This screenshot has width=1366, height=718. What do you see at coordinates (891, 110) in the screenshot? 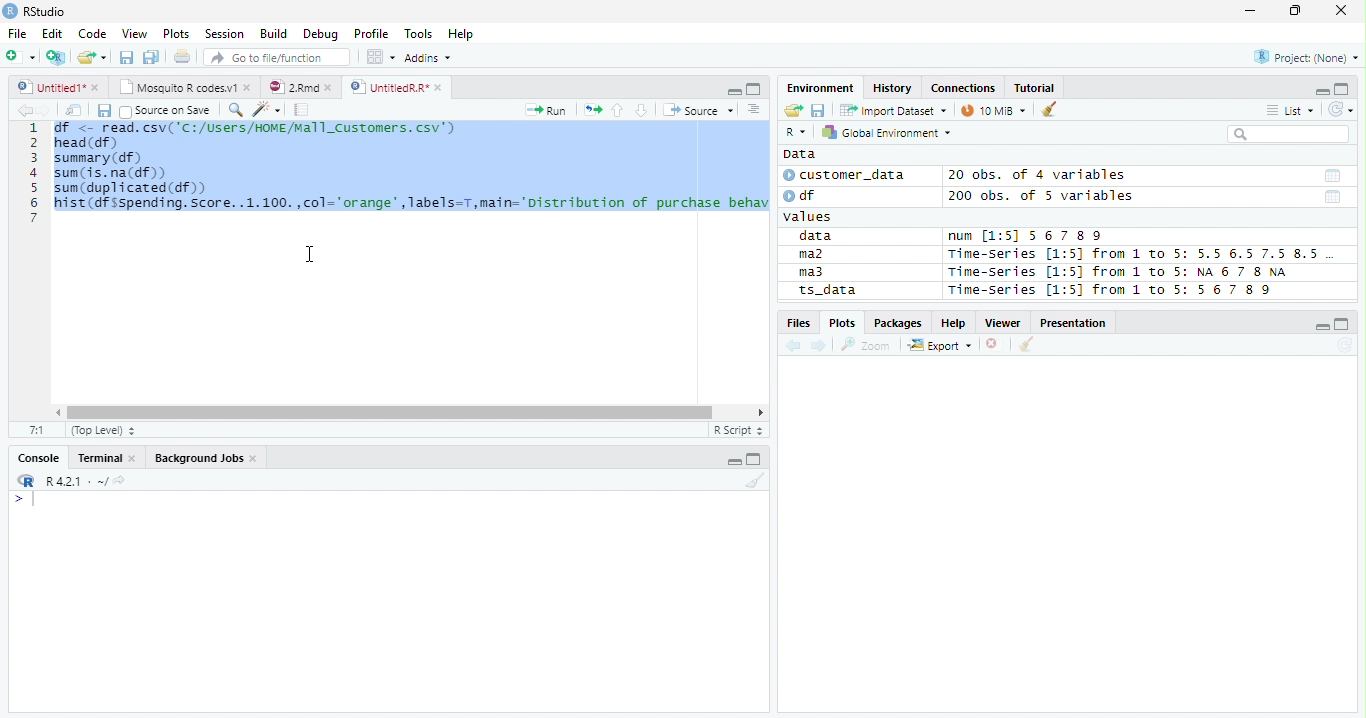
I see `Import Dataset` at bounding box center [891, 110].